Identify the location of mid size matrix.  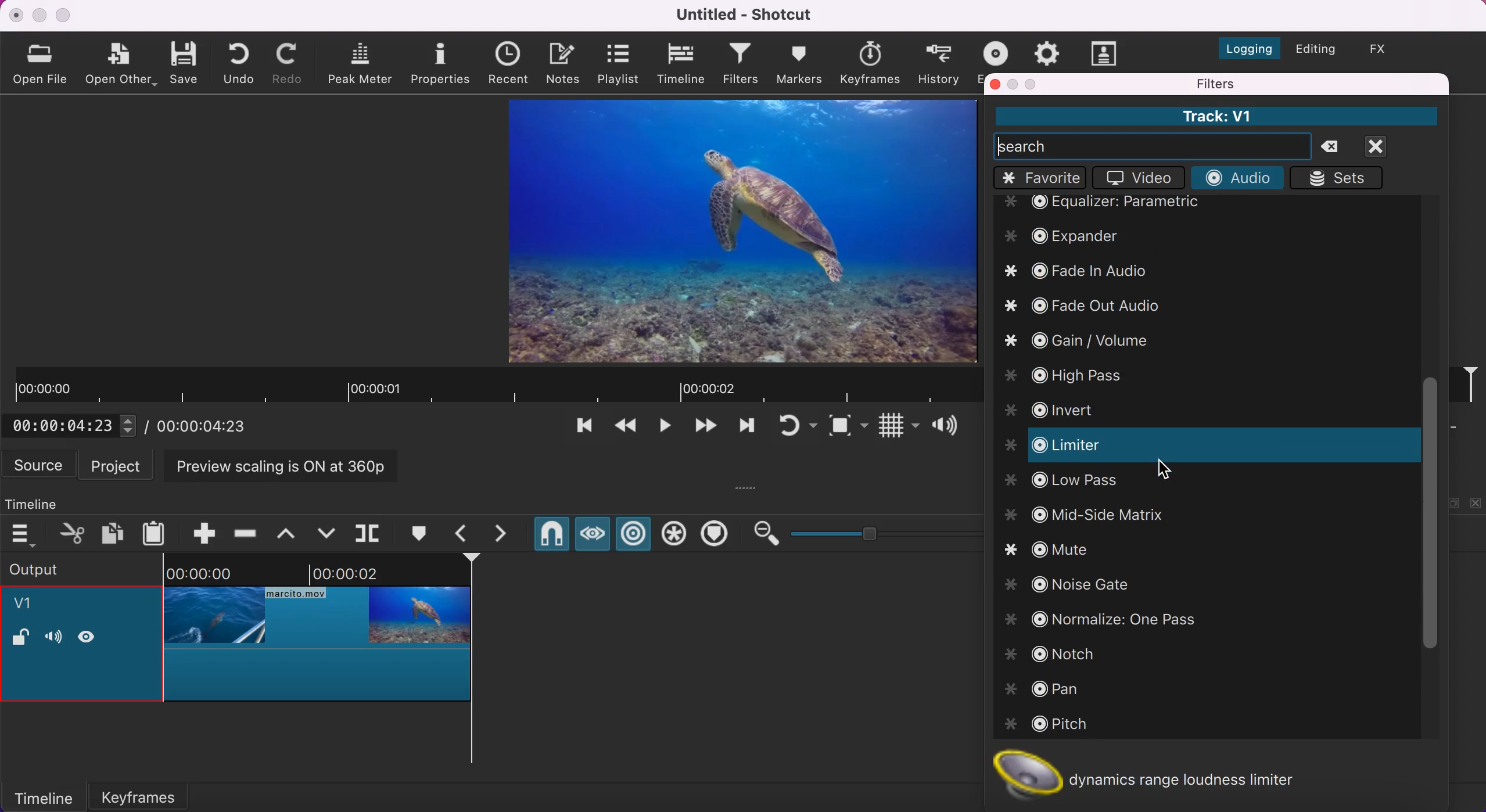
(1083, 515).